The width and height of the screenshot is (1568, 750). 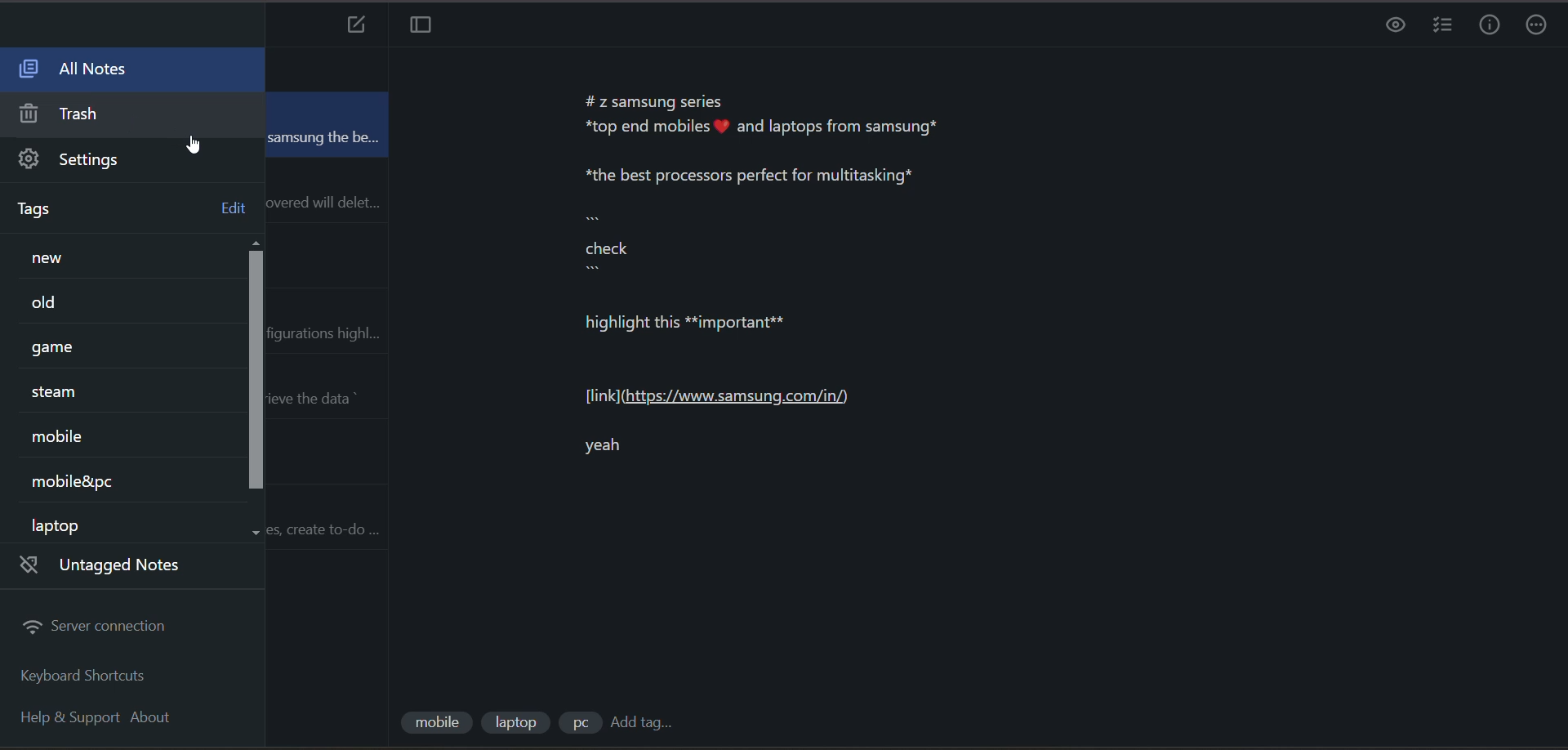 I want to click on tag 1, so click(x=68, y=260).